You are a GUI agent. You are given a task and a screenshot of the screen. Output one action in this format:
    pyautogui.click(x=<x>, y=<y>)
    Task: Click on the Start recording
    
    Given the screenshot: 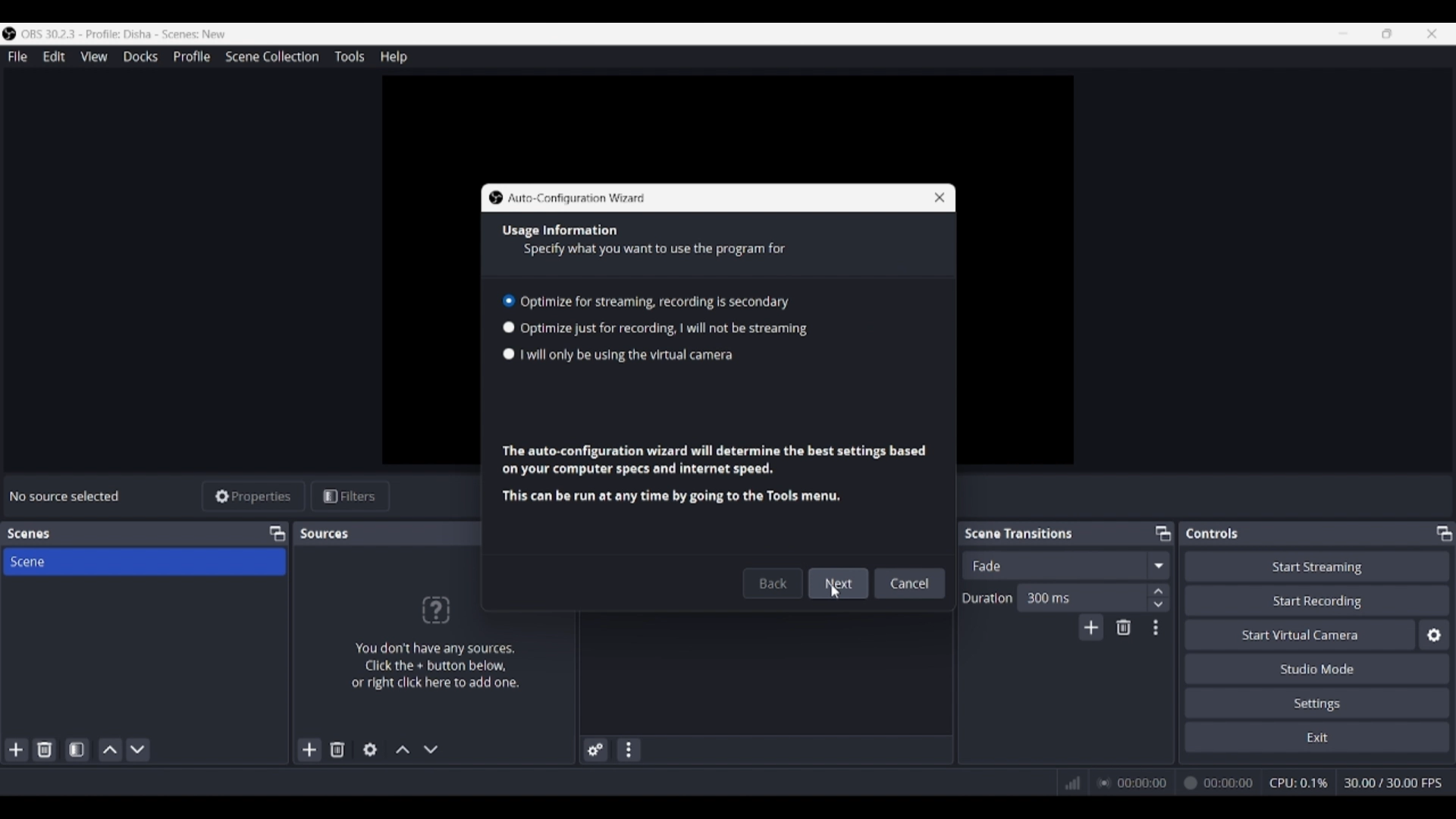 What is the action you would take?
    pyautogui.click(x=1318, y=600)
    